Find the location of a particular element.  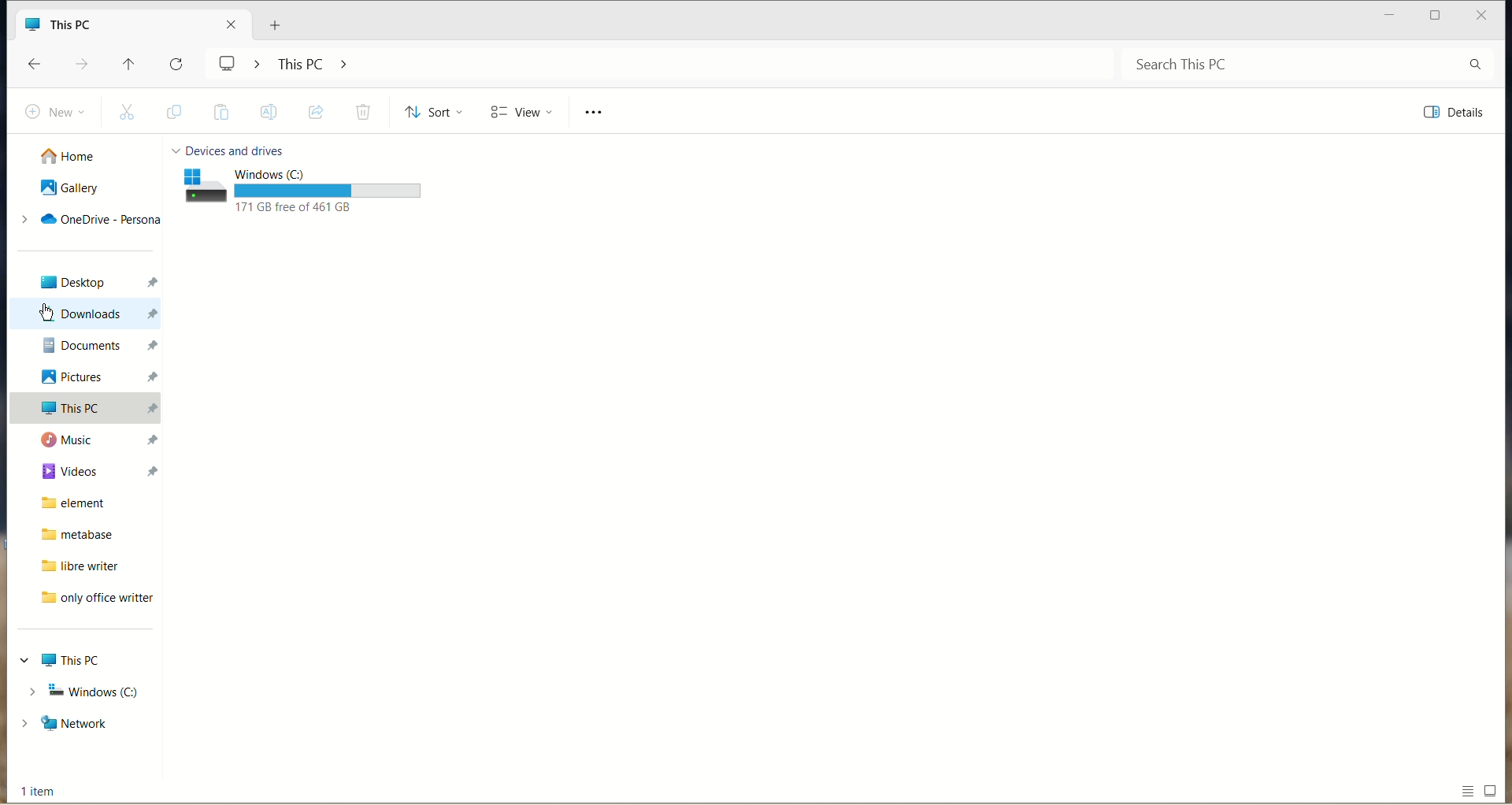

back is located at coordinates (39, 66).